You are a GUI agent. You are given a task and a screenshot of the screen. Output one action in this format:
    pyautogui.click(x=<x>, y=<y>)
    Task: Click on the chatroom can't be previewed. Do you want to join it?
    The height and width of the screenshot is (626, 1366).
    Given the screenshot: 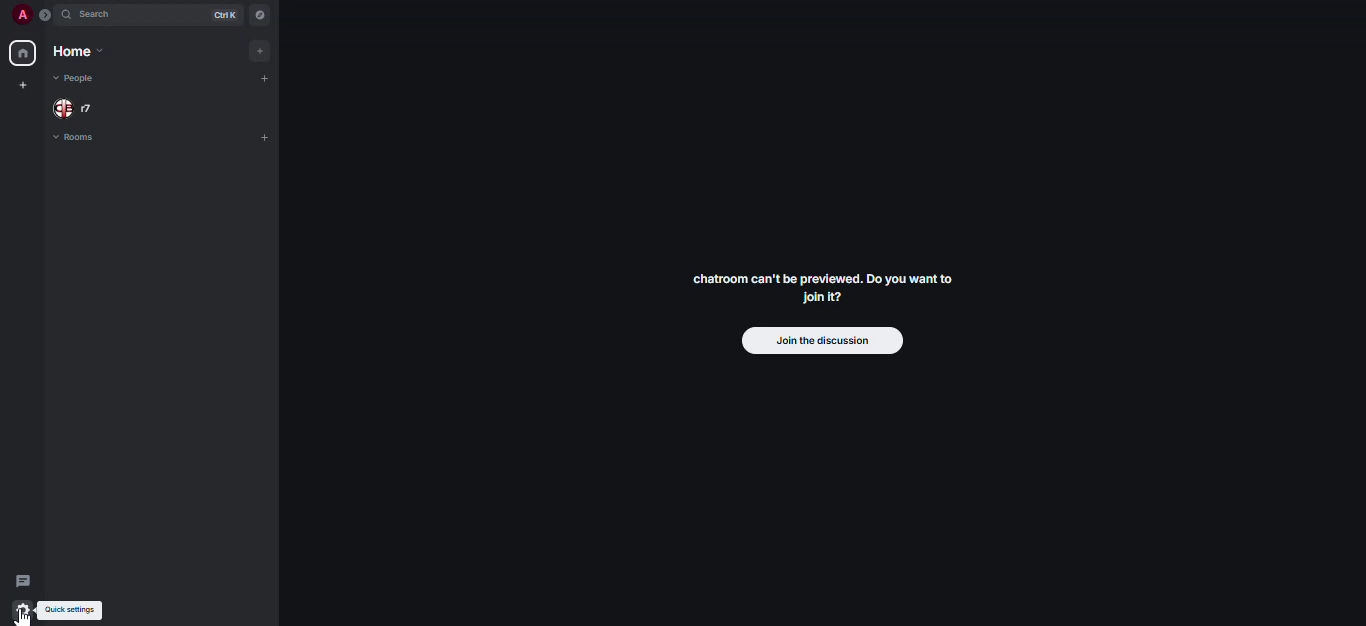 What is the action you would take?
    pyautogui.click(x=817, y=286)
    